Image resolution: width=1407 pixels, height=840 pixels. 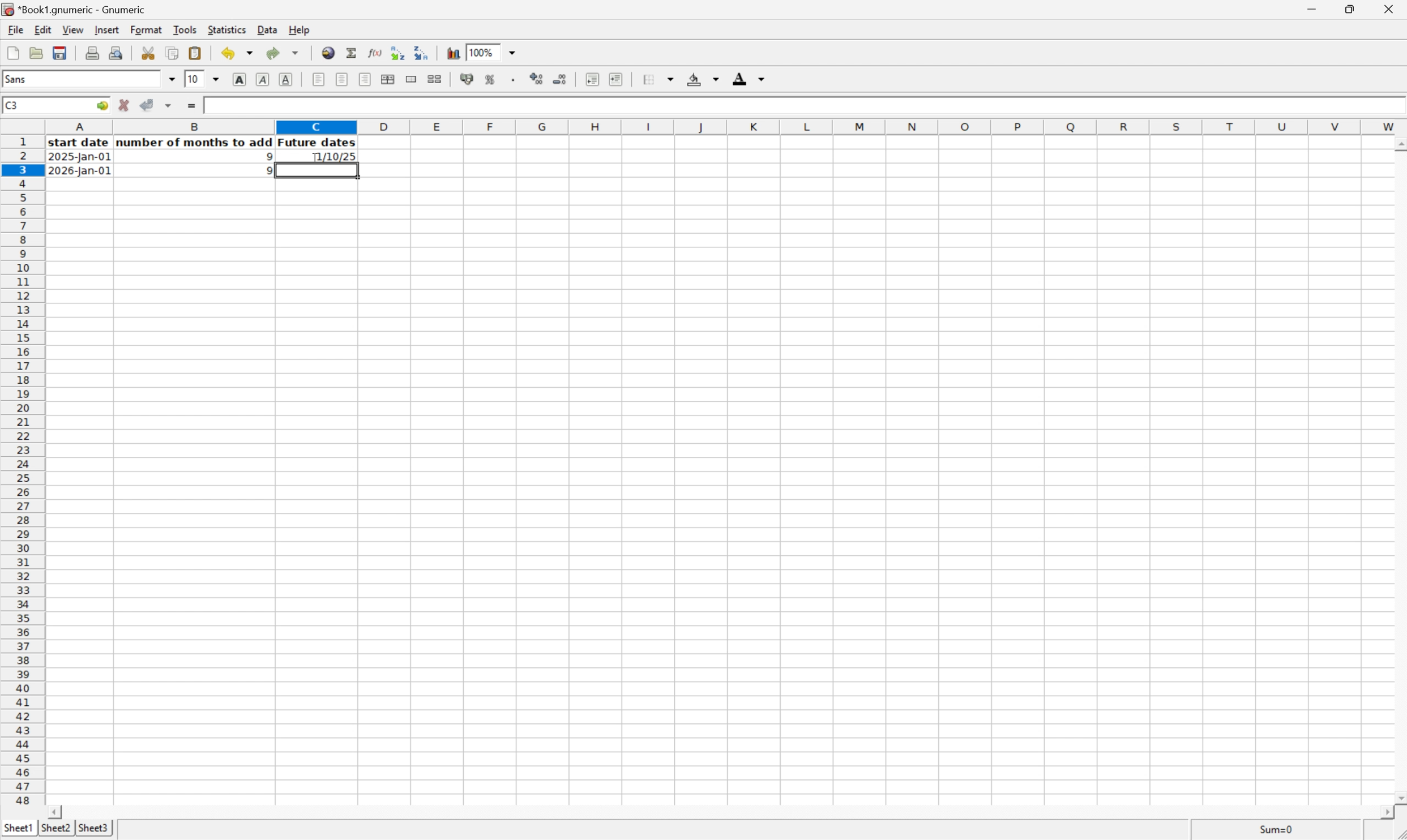 What do you see at coordinates (106, 29) in the screenshot?
I see `Insert` at bounding box center [106, 29].